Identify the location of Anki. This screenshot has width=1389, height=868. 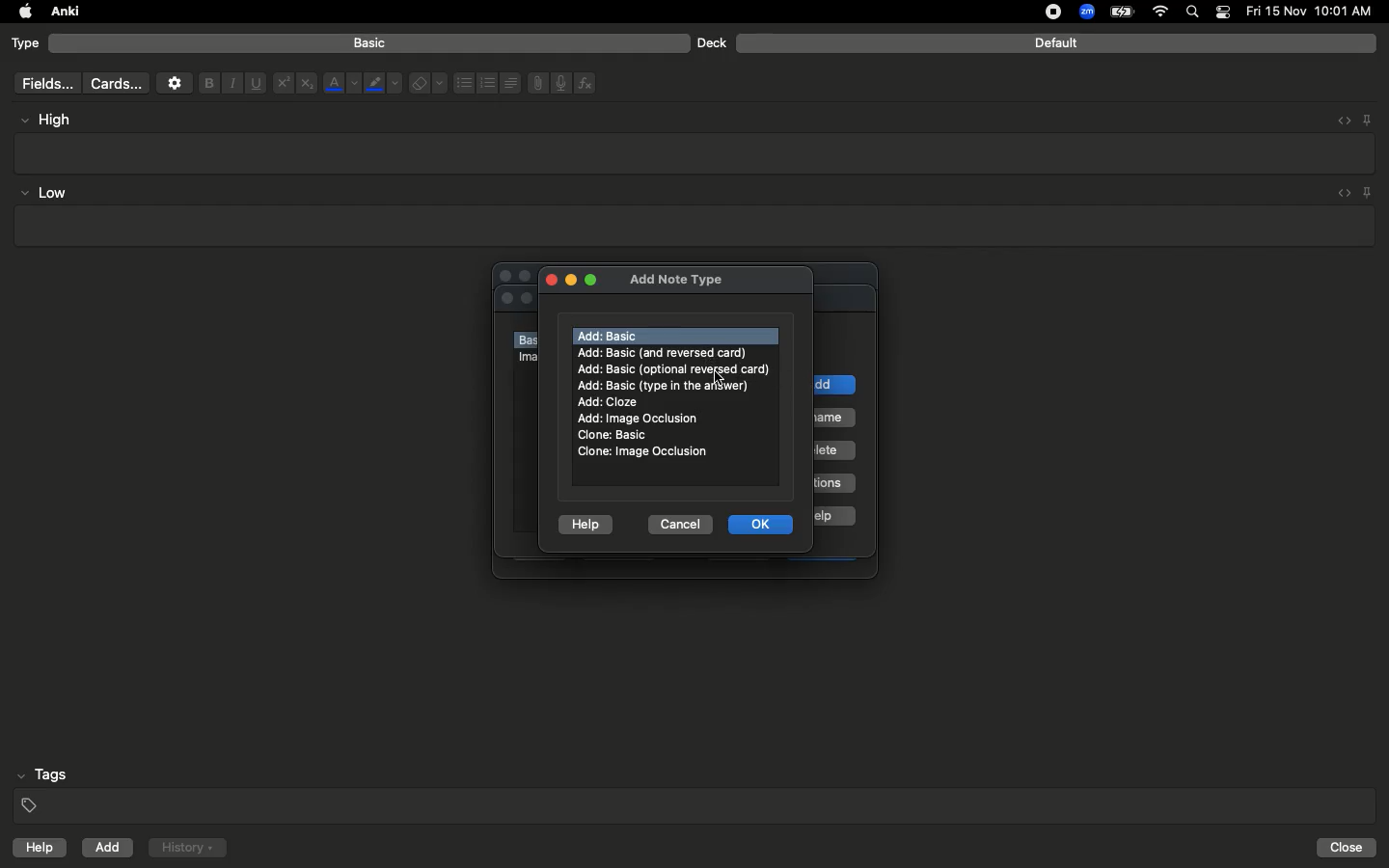
(64, 13).